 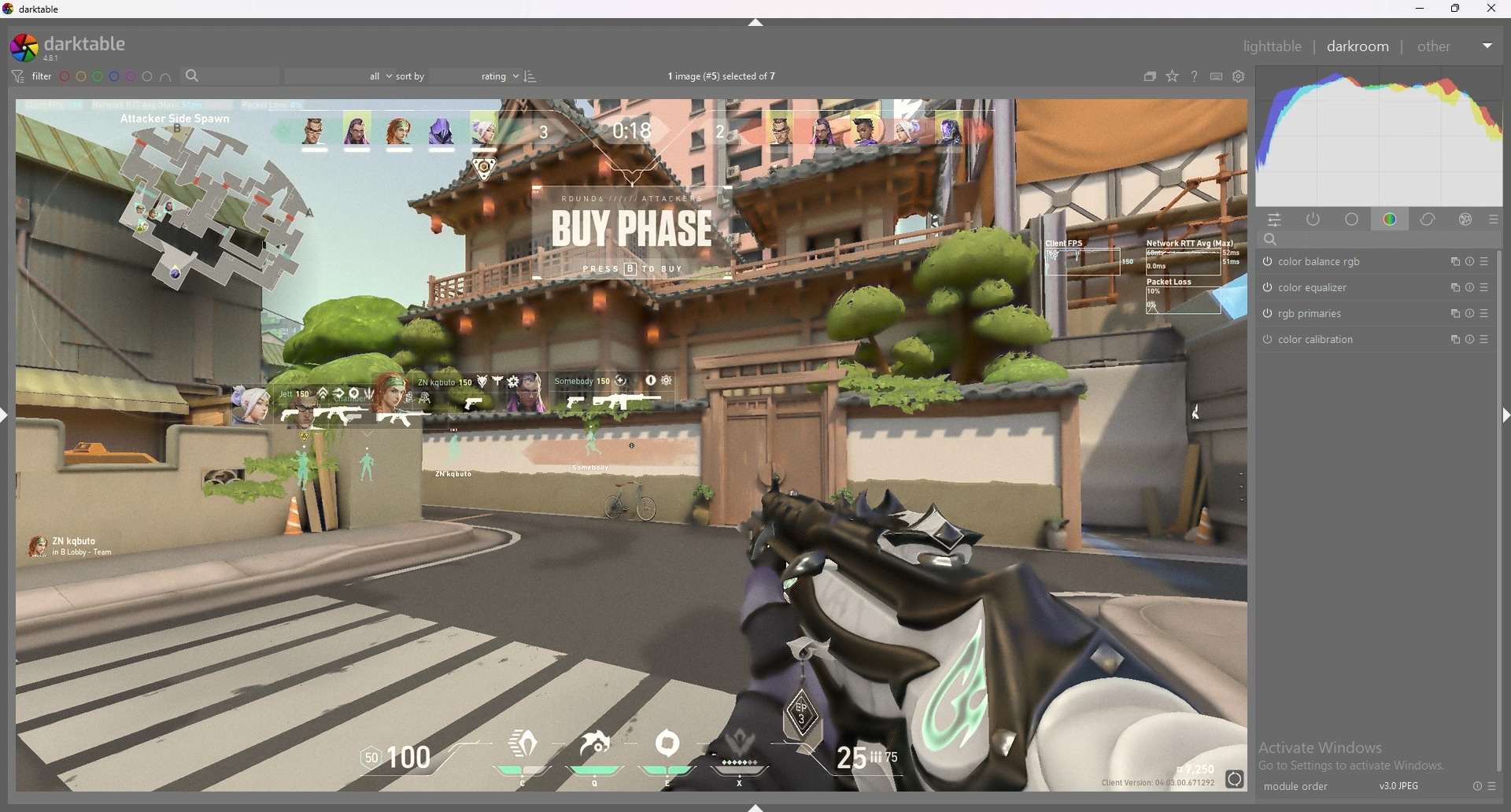 I want to click on other, so click(x=1454, y=46).